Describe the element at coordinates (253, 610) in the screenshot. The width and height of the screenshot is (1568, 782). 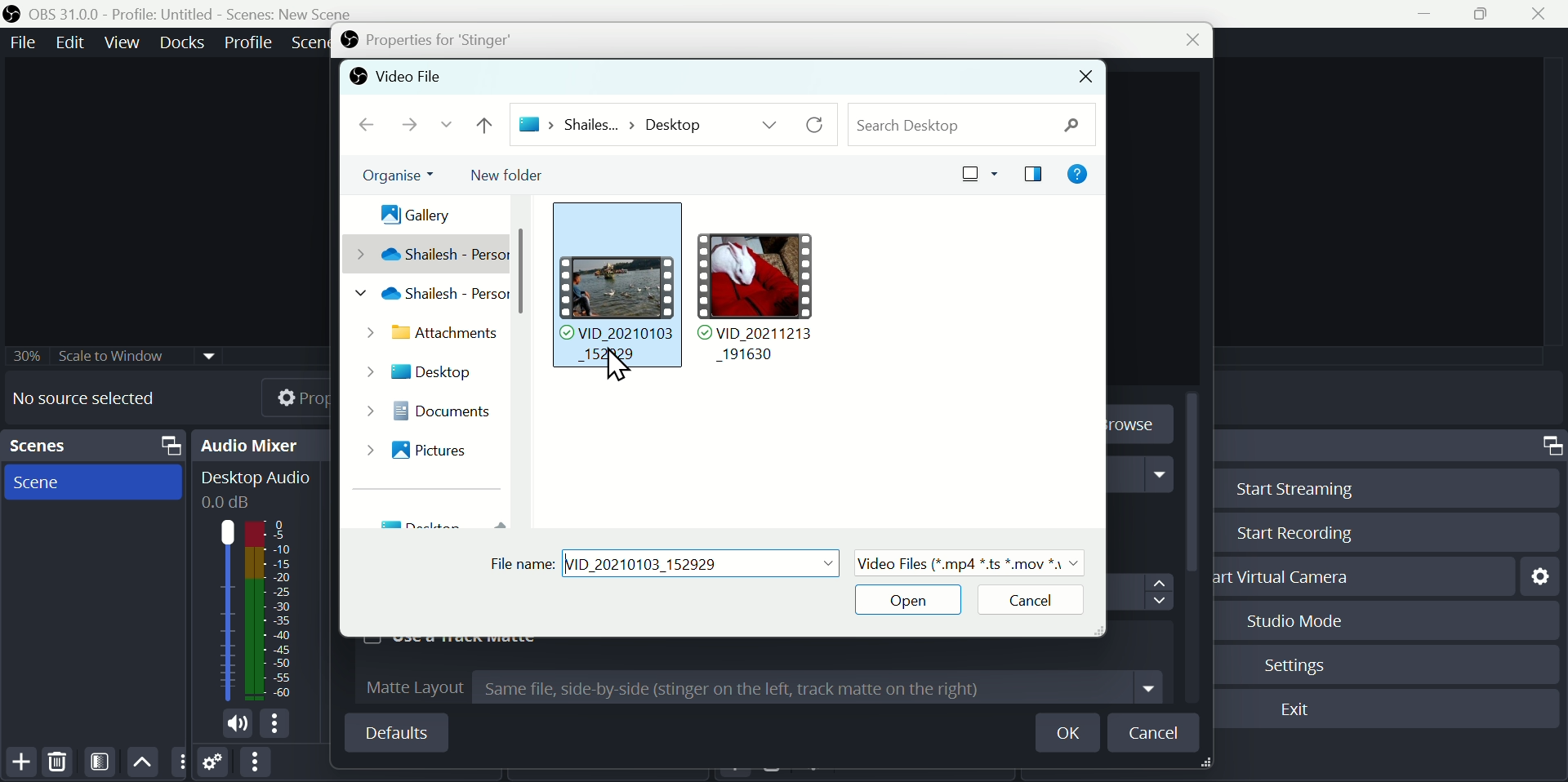
I see `Audio bar` at that location.